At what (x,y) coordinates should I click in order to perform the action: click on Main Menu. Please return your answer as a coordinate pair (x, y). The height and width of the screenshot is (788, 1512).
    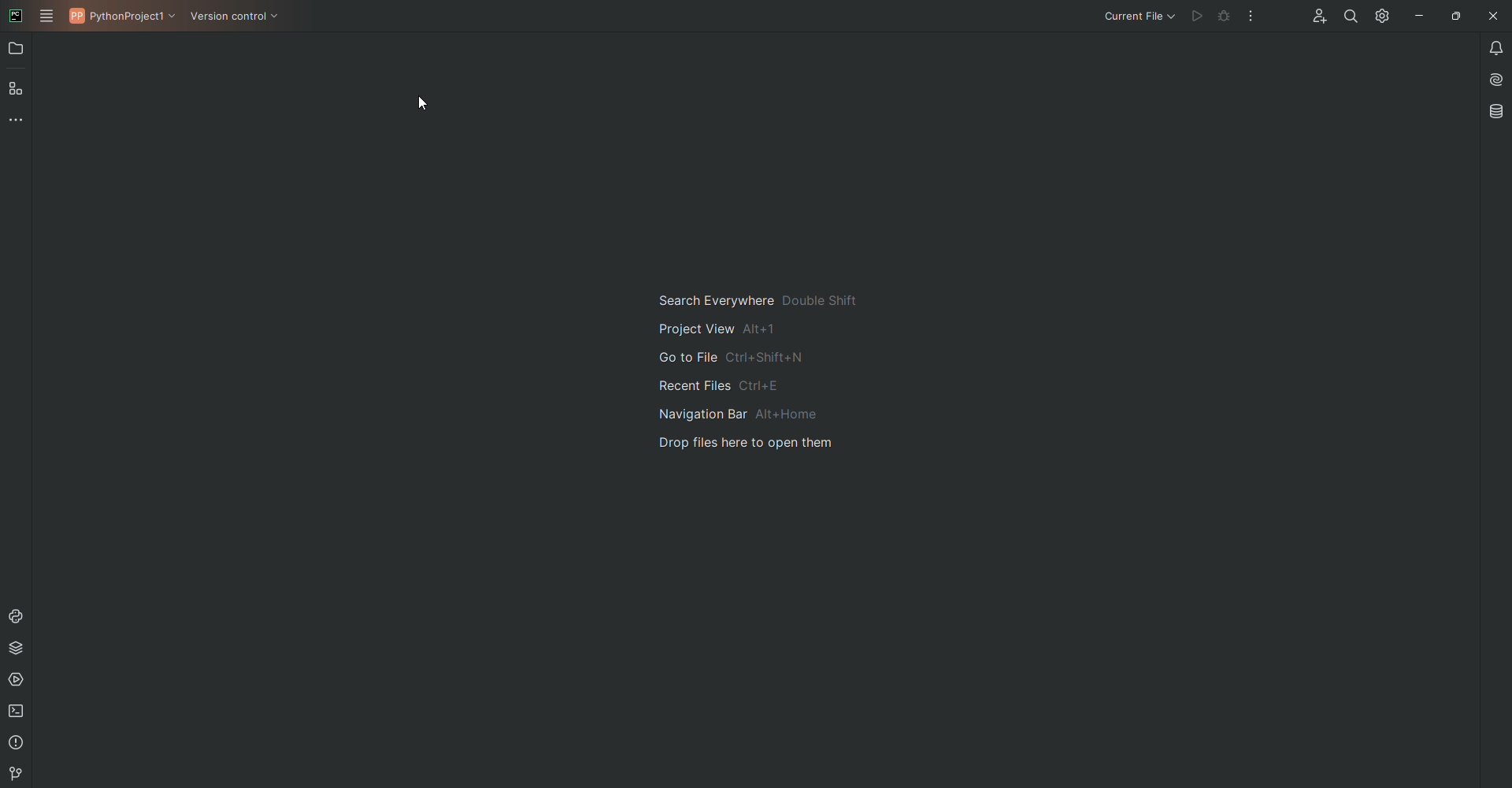
    Looking at the image, I should click on (47, 17).